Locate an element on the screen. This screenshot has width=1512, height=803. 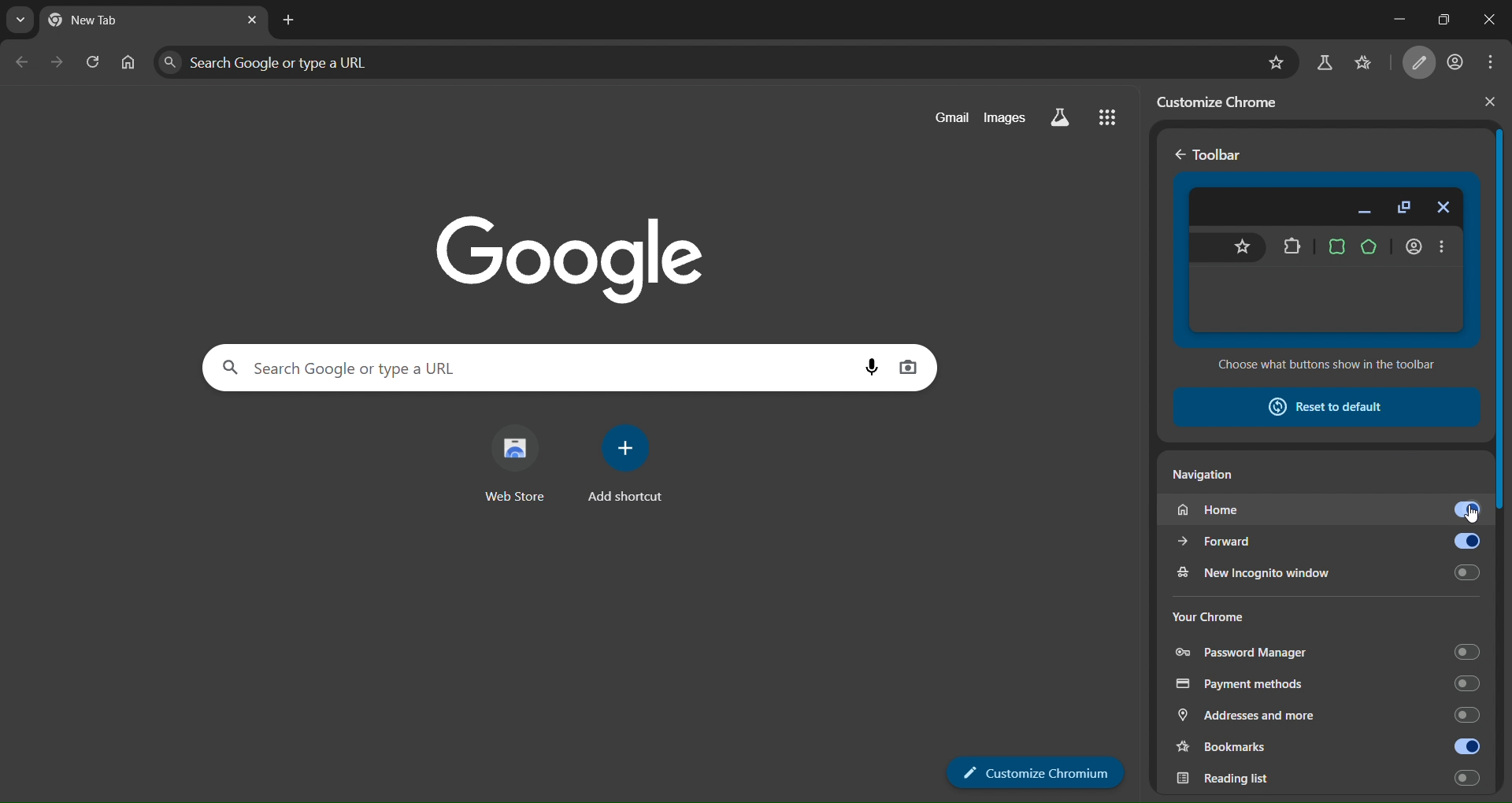
new tab is located at coordinates (289, 20).